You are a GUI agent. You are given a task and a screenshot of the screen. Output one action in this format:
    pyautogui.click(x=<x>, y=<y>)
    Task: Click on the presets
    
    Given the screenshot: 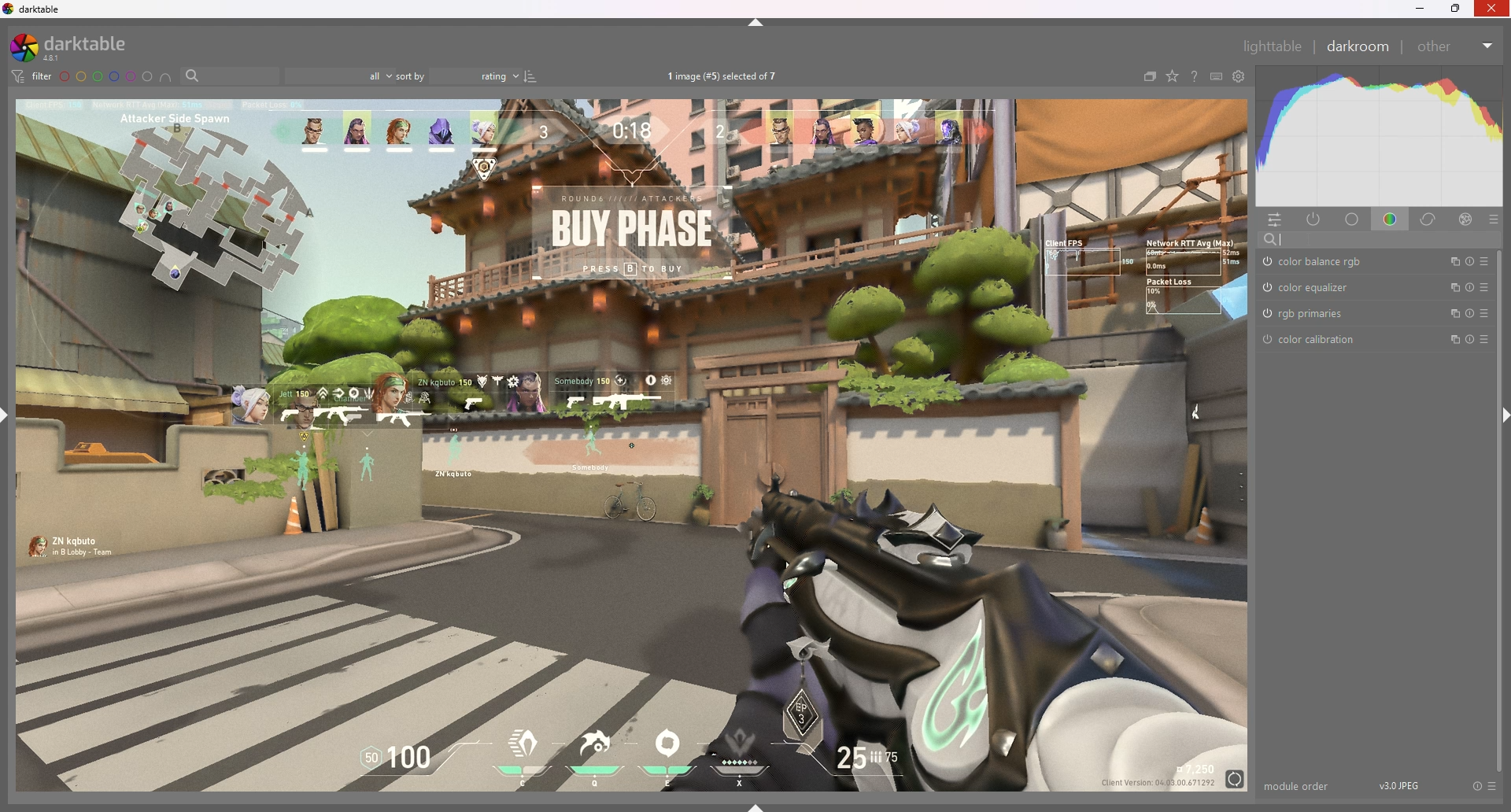 What is the action you would take?
    pyautogui.click(x=1493, y=220)
    